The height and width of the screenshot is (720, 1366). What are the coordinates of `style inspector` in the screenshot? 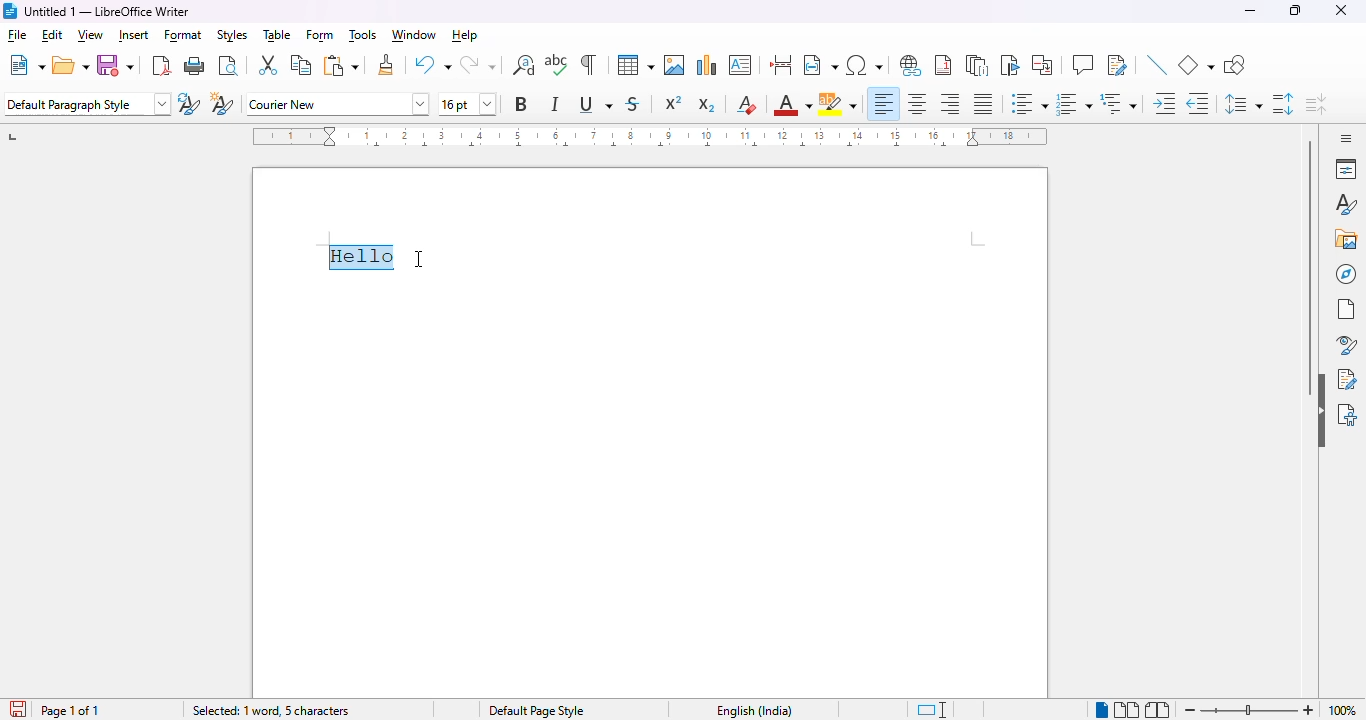 It's located at (1345, 345).